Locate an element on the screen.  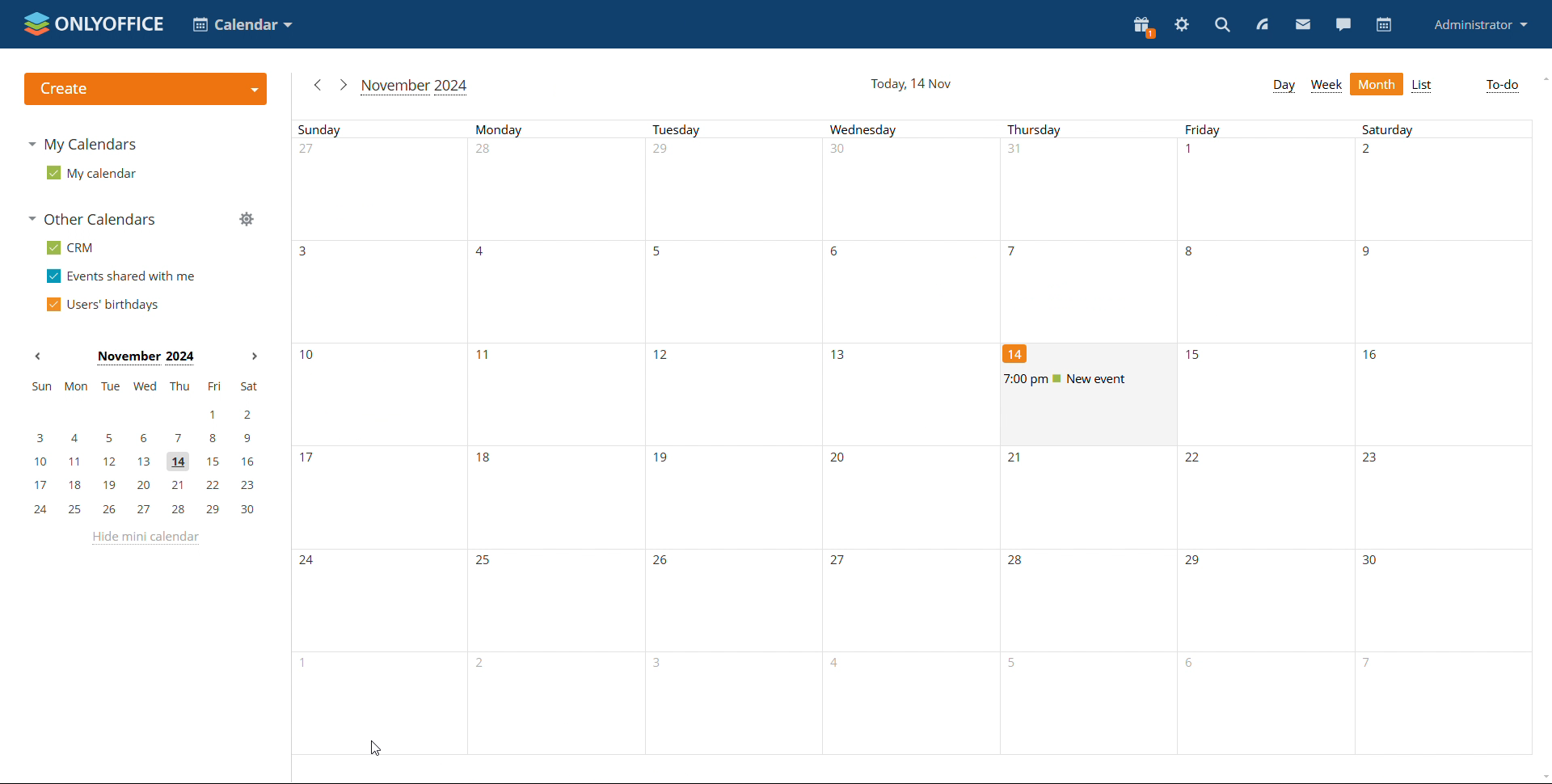
event renamed is located at coordinates (1080, 379).